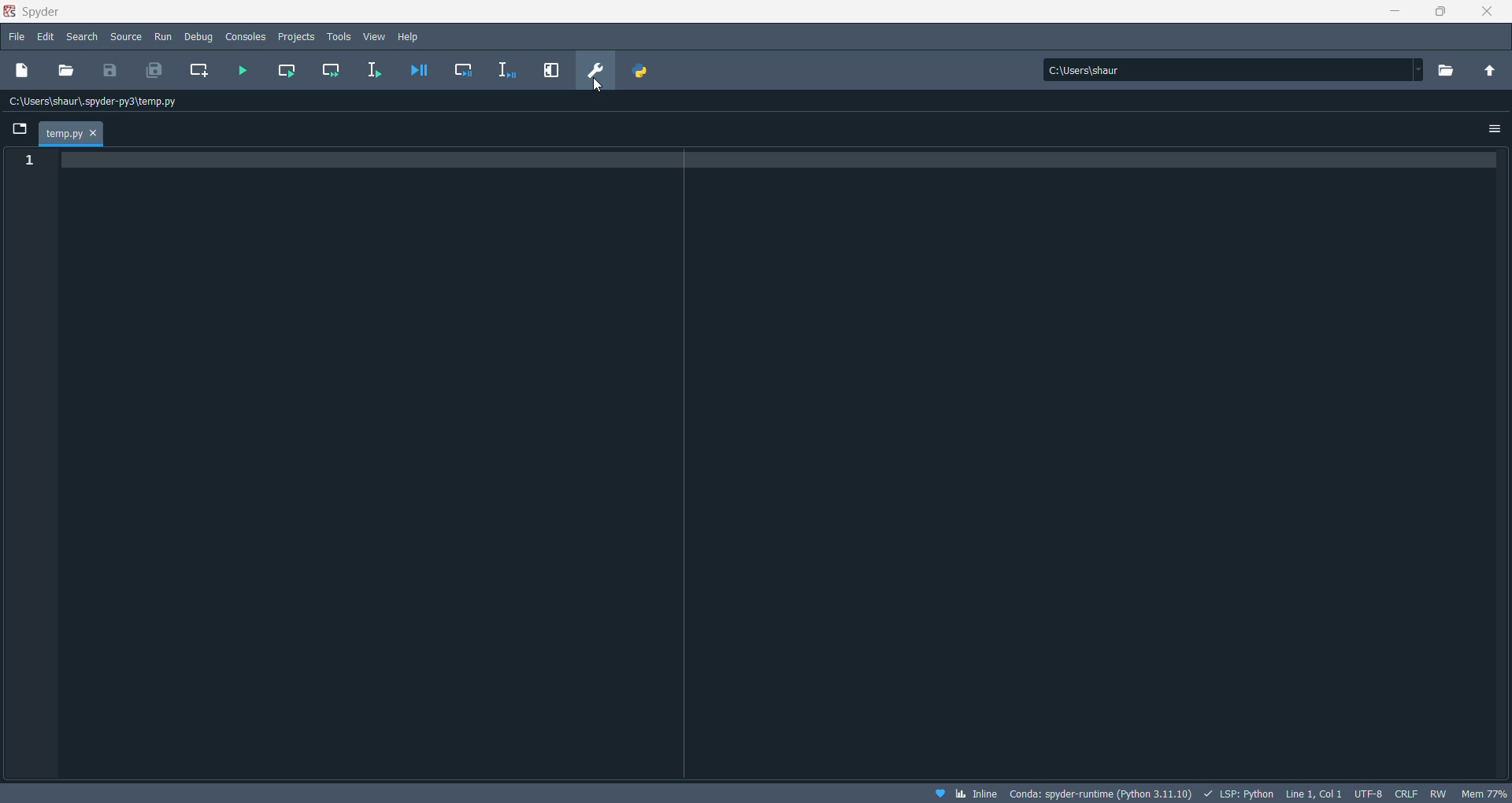  What do you see at coordinates (939, 793) in the screenshot?
I see `donate to spyder` at bounding box center [939, 793].